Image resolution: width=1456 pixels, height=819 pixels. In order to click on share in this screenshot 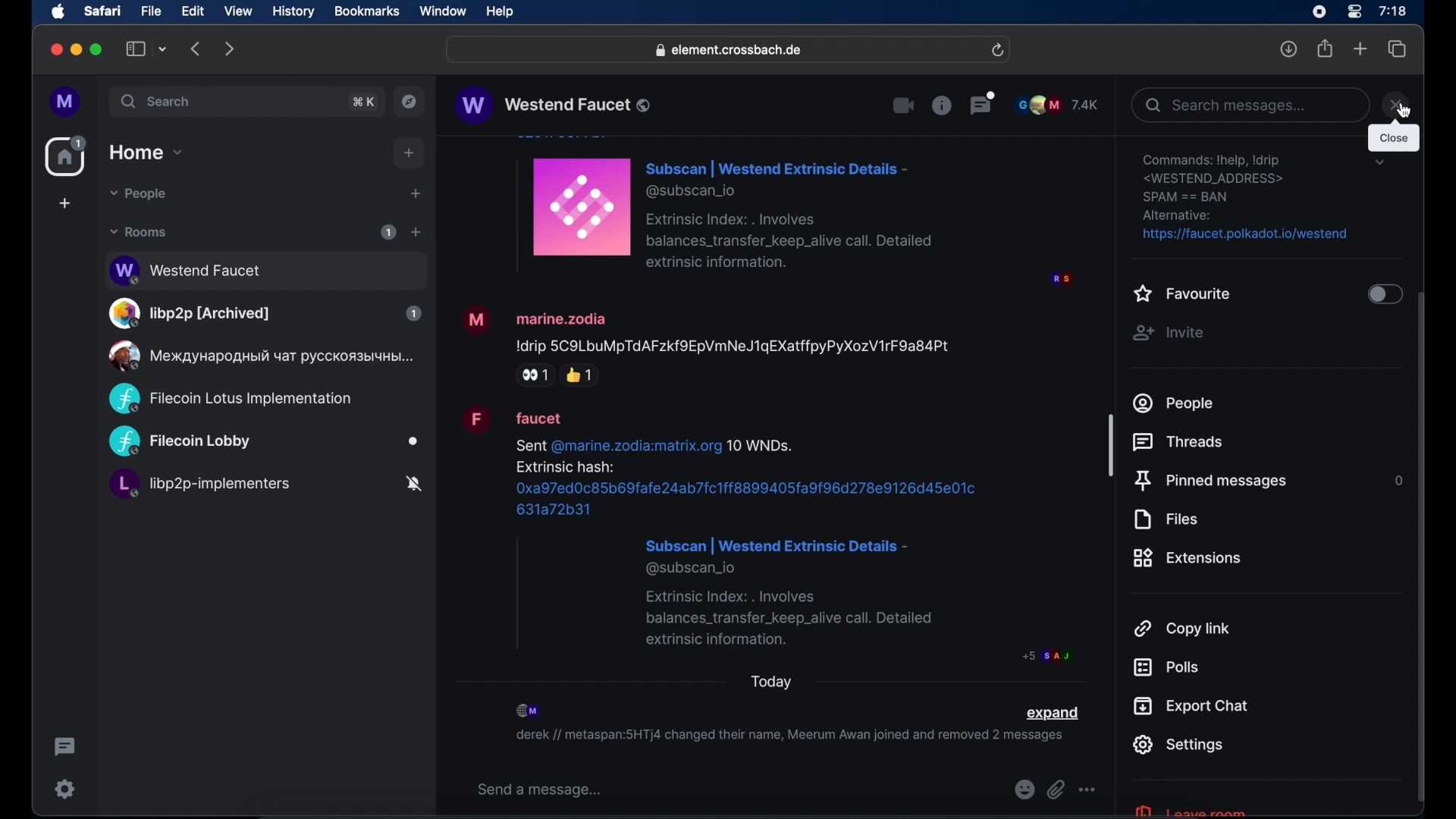, I will do `click(1326, 49)`.